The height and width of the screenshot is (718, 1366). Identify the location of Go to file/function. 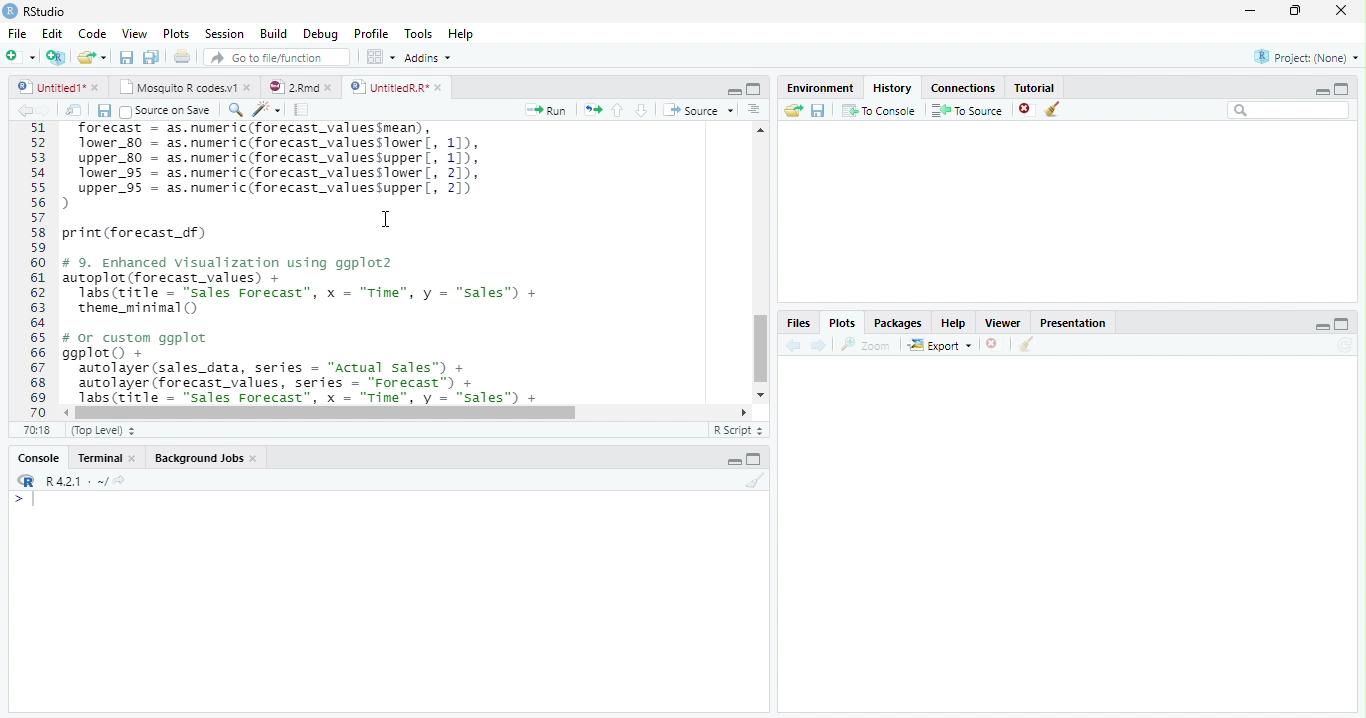
(277, 57).